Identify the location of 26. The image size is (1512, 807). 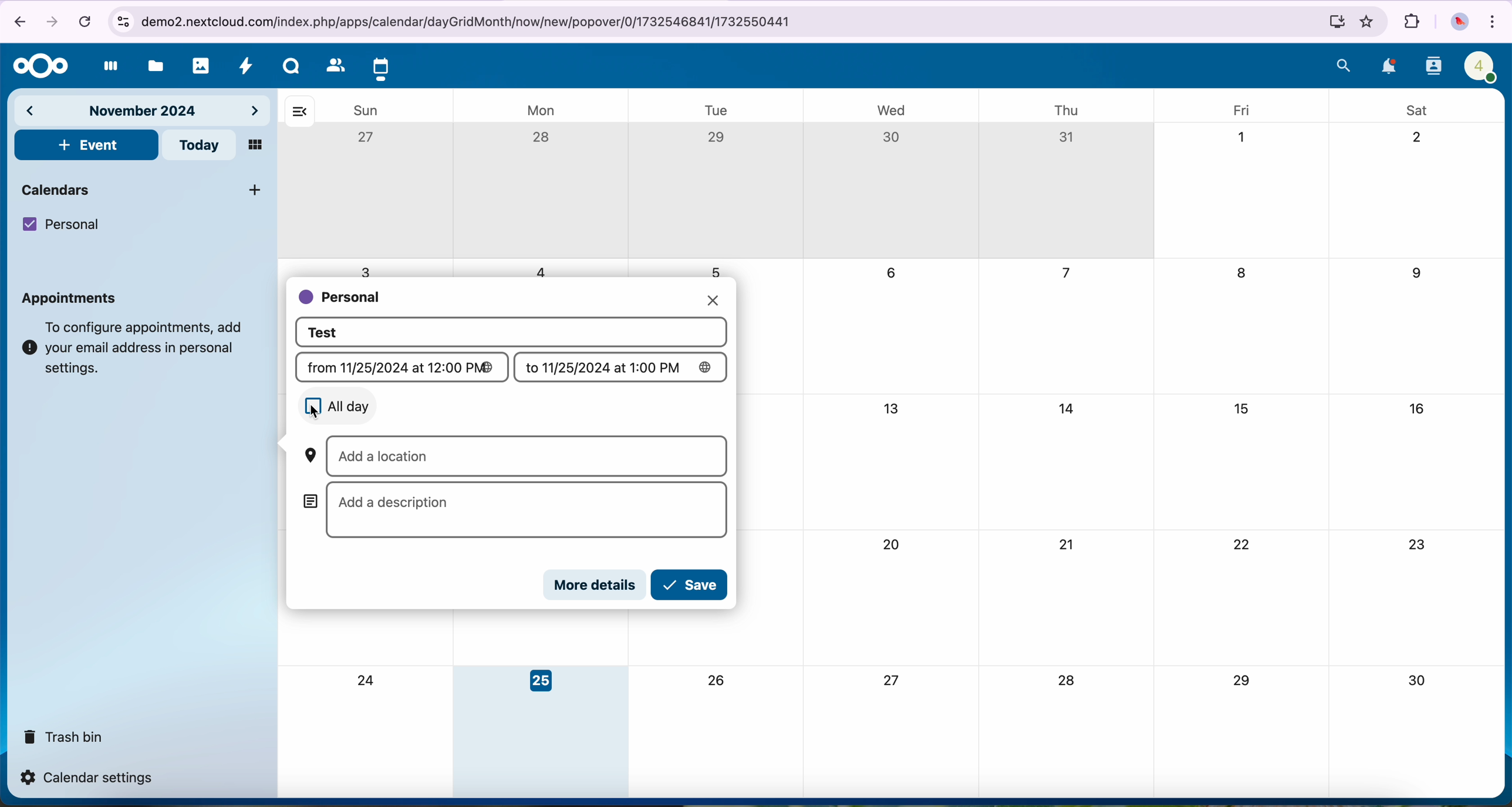
(720, 680).